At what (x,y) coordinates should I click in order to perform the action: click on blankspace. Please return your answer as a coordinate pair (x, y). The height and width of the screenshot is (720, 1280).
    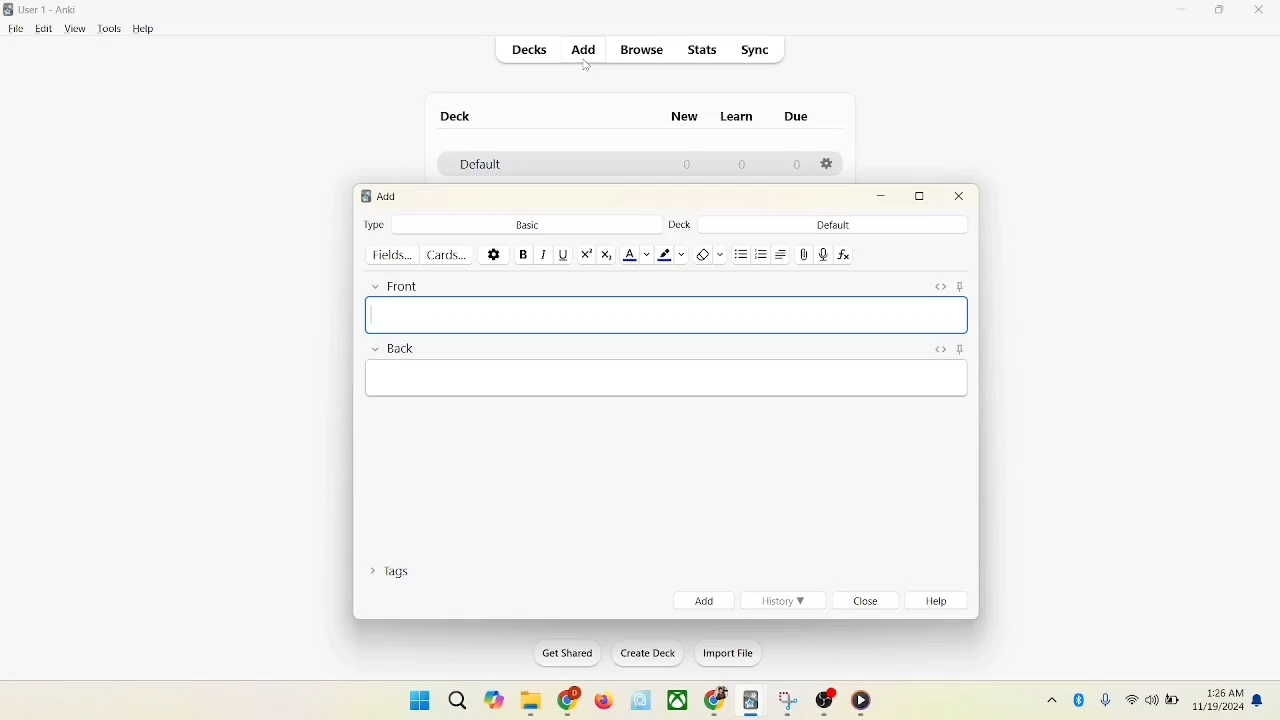
    Looking at the image, I should click on (672, 317).